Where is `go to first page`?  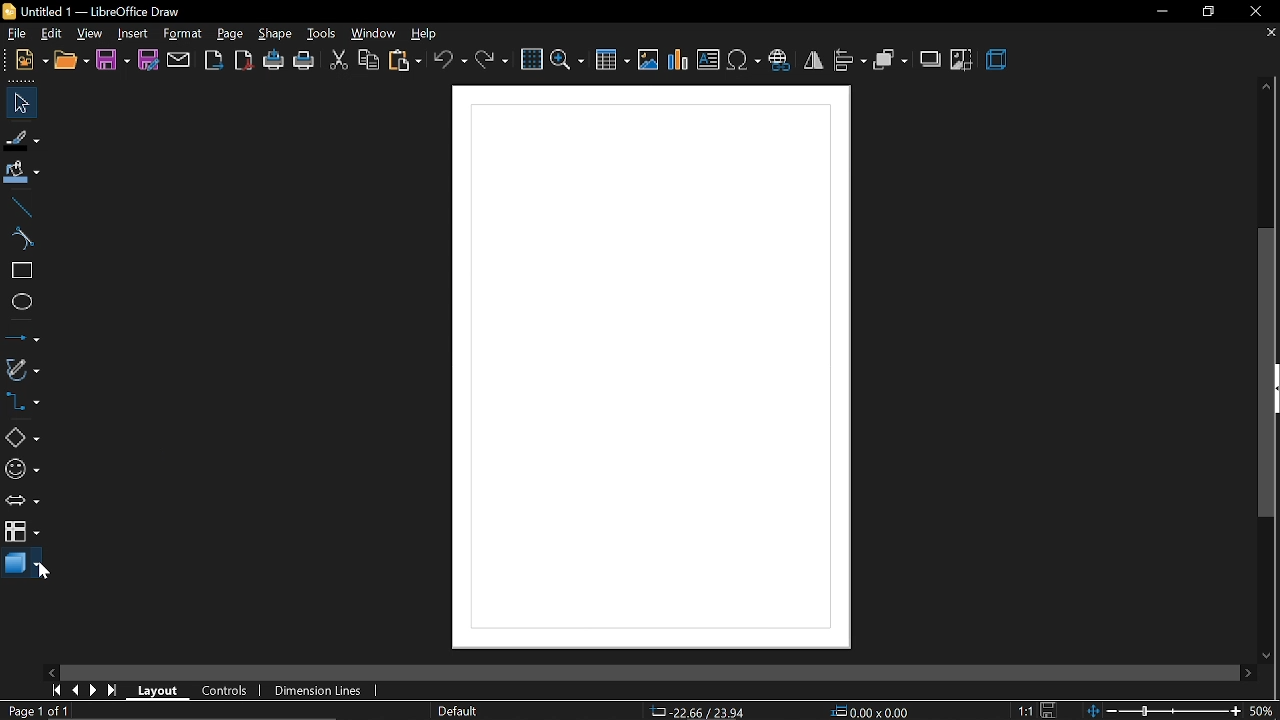 go to first page is located at coordinates (58, 692).